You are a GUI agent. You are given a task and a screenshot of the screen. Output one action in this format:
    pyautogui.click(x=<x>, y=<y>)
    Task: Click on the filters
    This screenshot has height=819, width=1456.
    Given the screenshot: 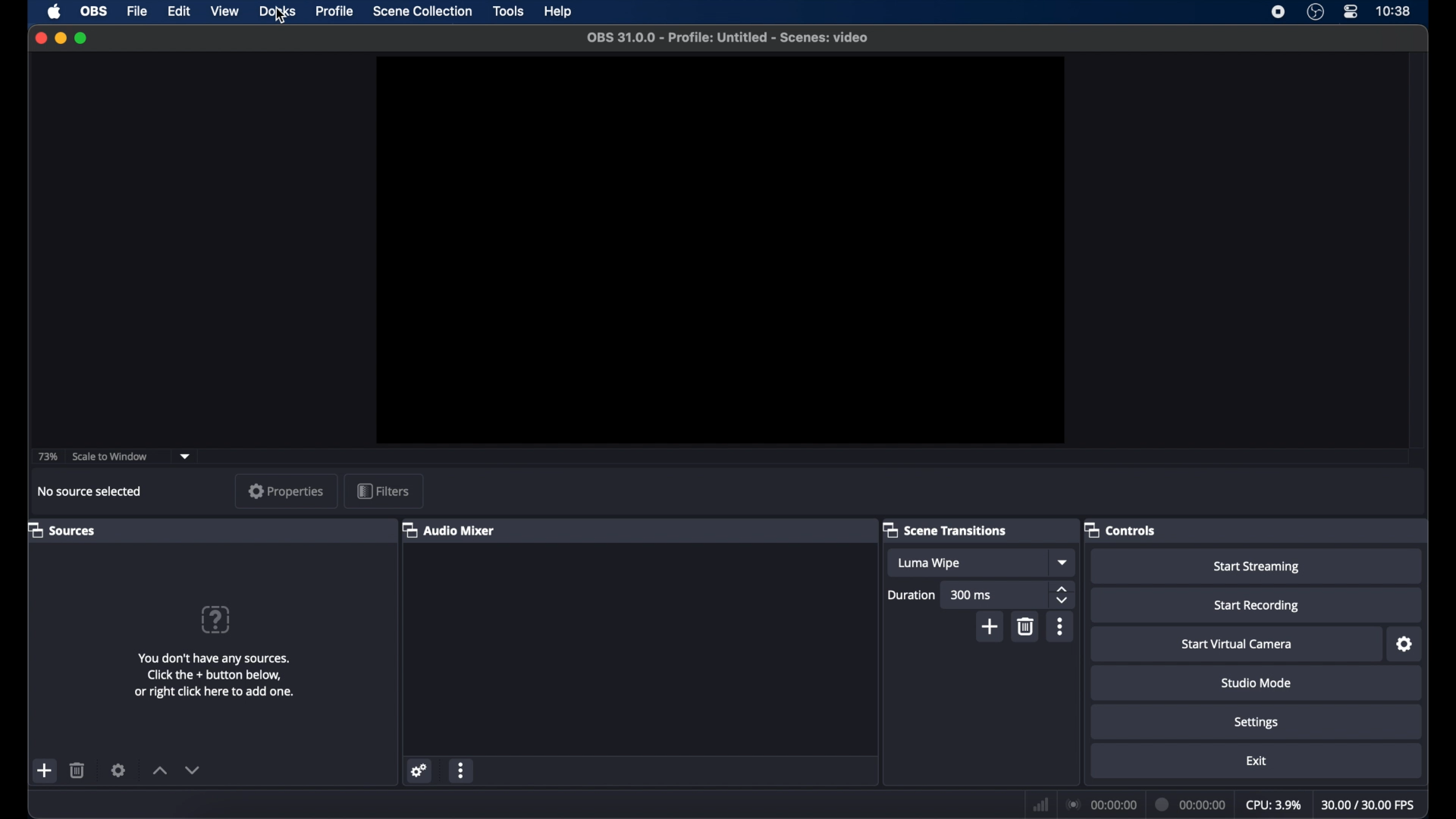 What is the action you would take?
    pyautogui.click(x=383, y=491)
    